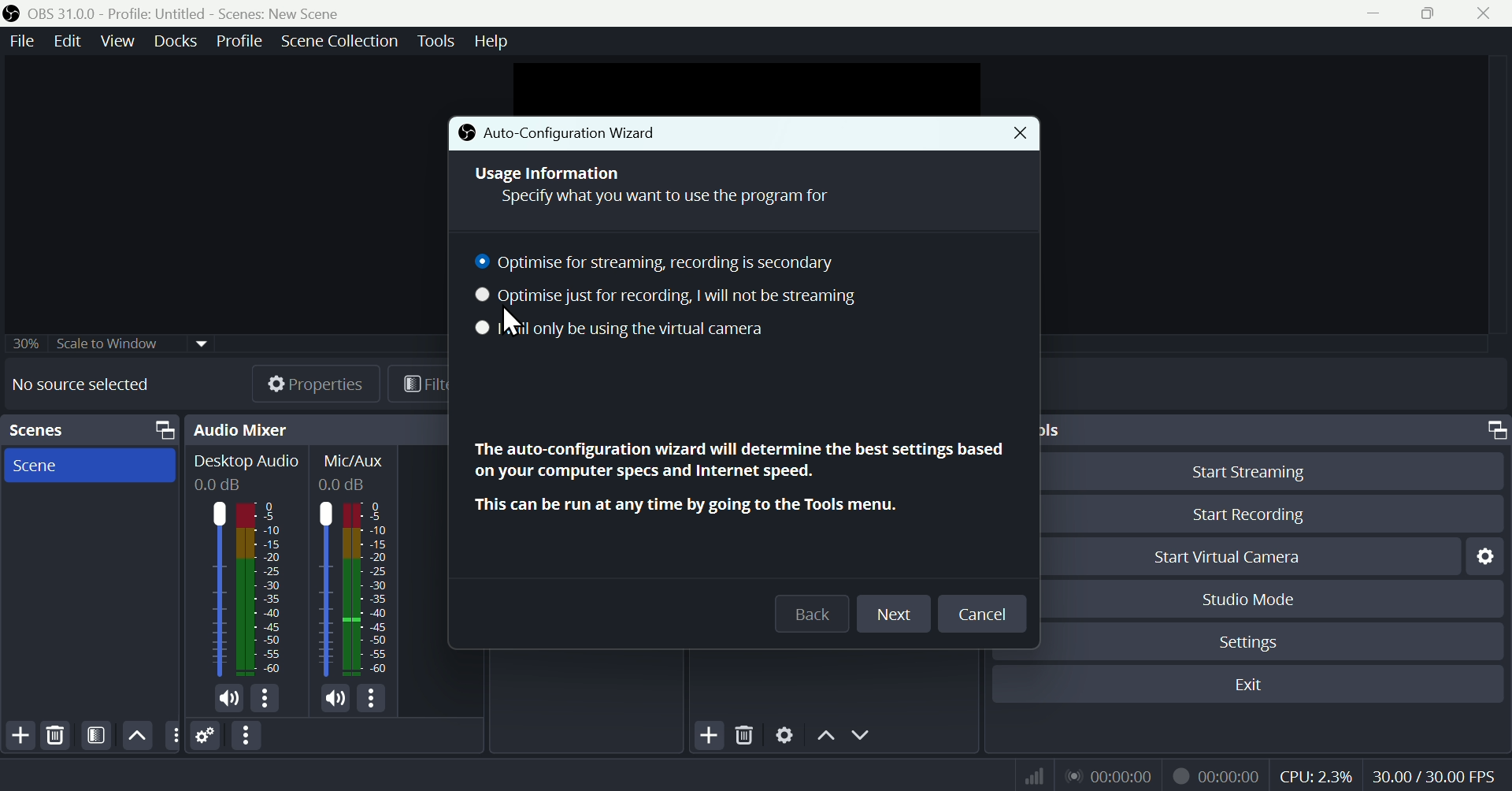  What do you see at coordinates (229, 699) in the screenshot?
I see `mic` at bounding box center [229, 699].